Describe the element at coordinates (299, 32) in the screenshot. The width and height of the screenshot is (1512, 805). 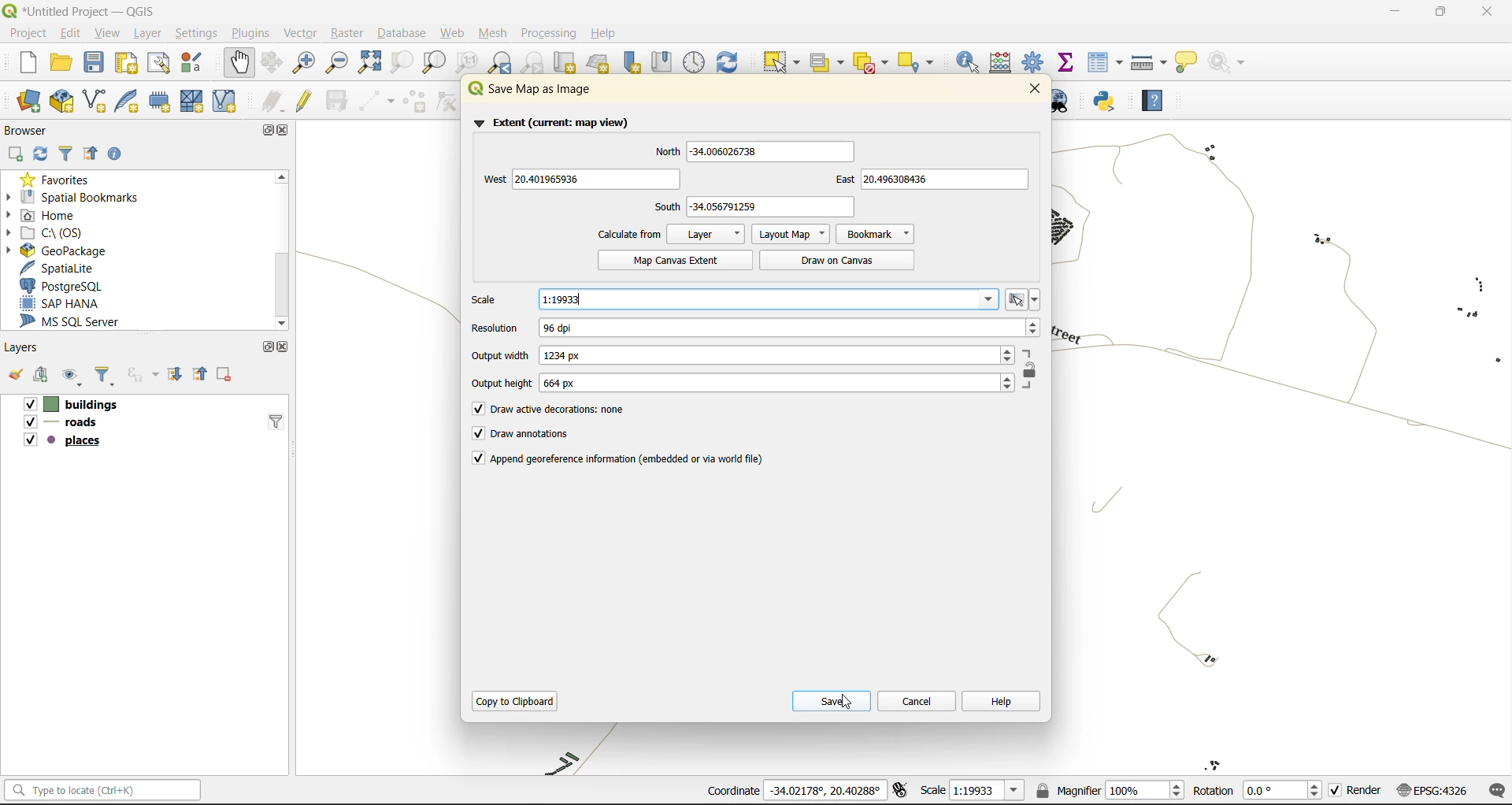
I see `vector` at that location.